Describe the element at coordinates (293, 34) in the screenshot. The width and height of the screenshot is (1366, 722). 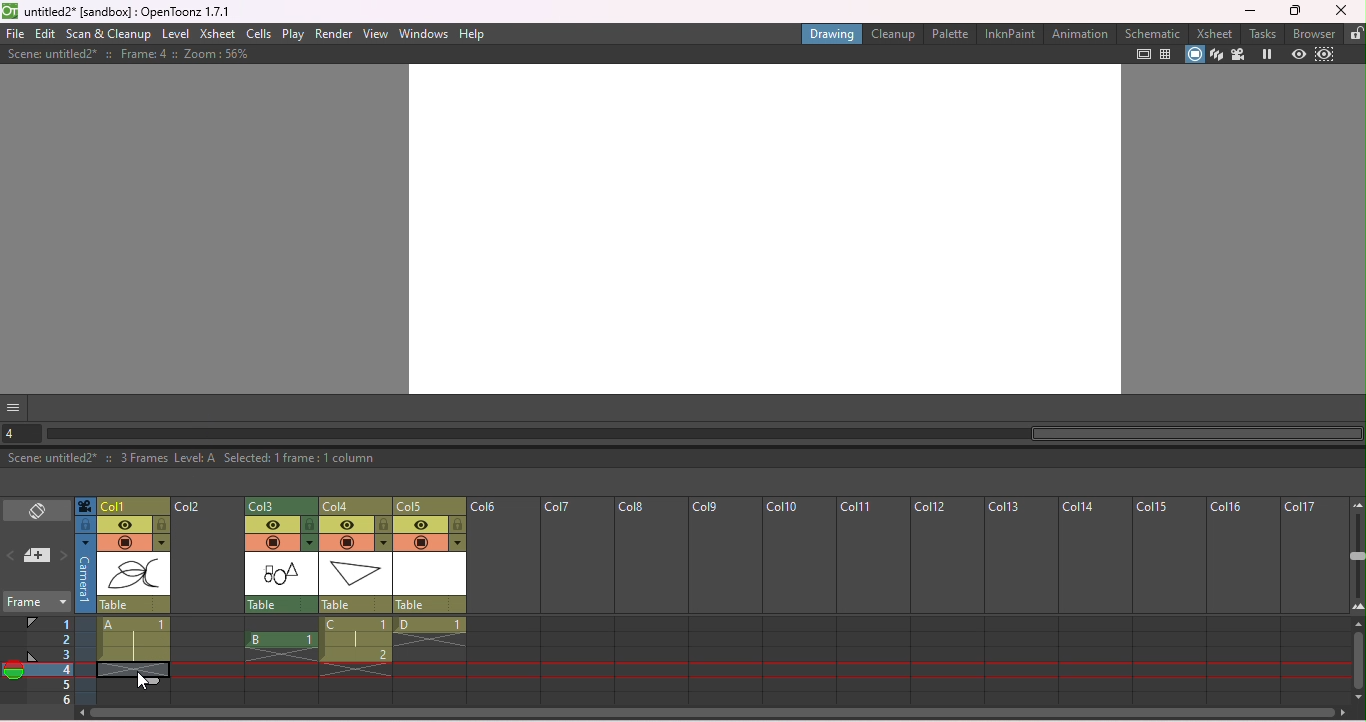
I see `Play` at that location.